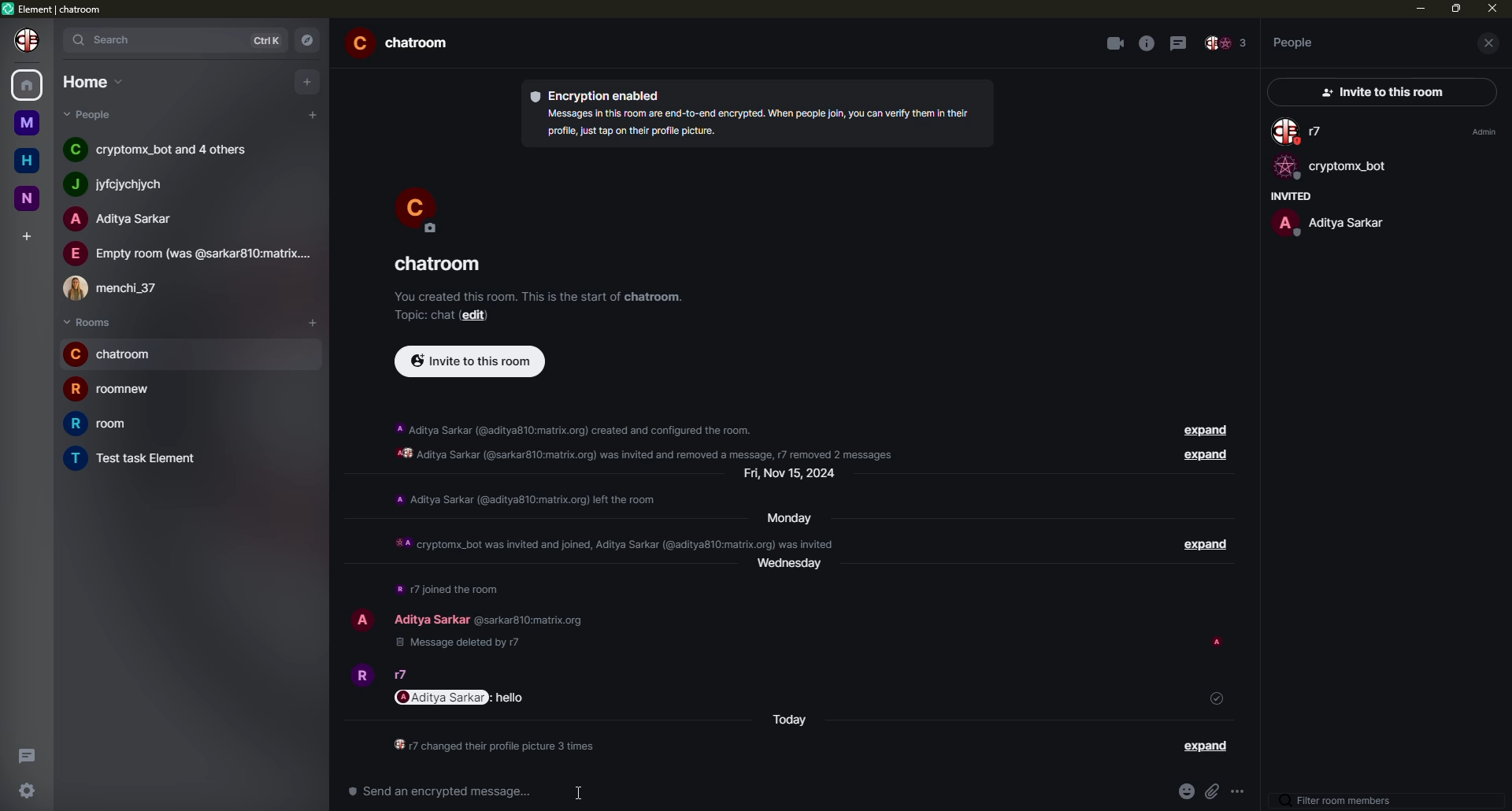  What do you see at coordinates (1206, 746) in the screenshot?
I see `expand` at bounding box center [1206, 746].